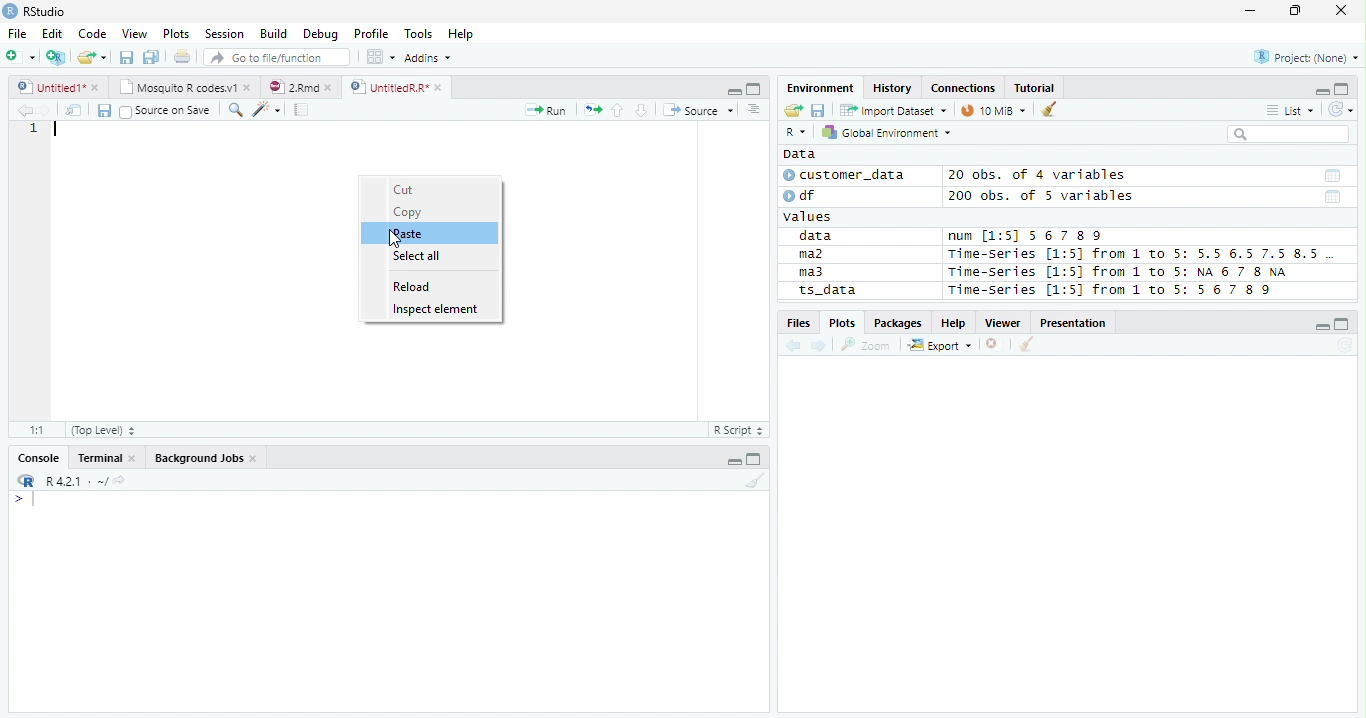 The image size is (1366, 718). What do you see at coordinates (737, 430) in the screenshot?
I see `R script` at bounding box center [737, 430].